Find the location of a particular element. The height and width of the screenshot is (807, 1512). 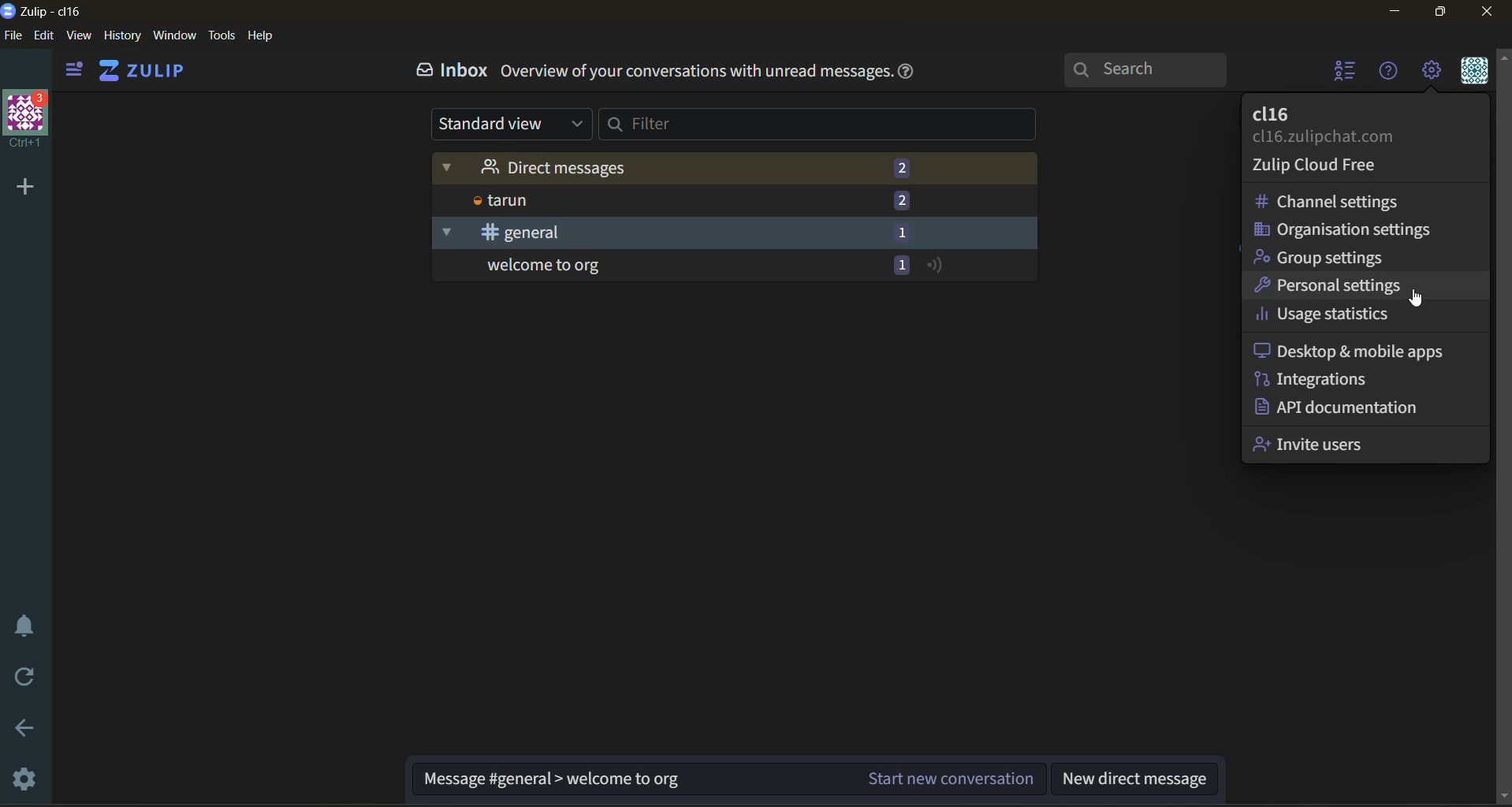

2 message is located at coordinates (902, 166).